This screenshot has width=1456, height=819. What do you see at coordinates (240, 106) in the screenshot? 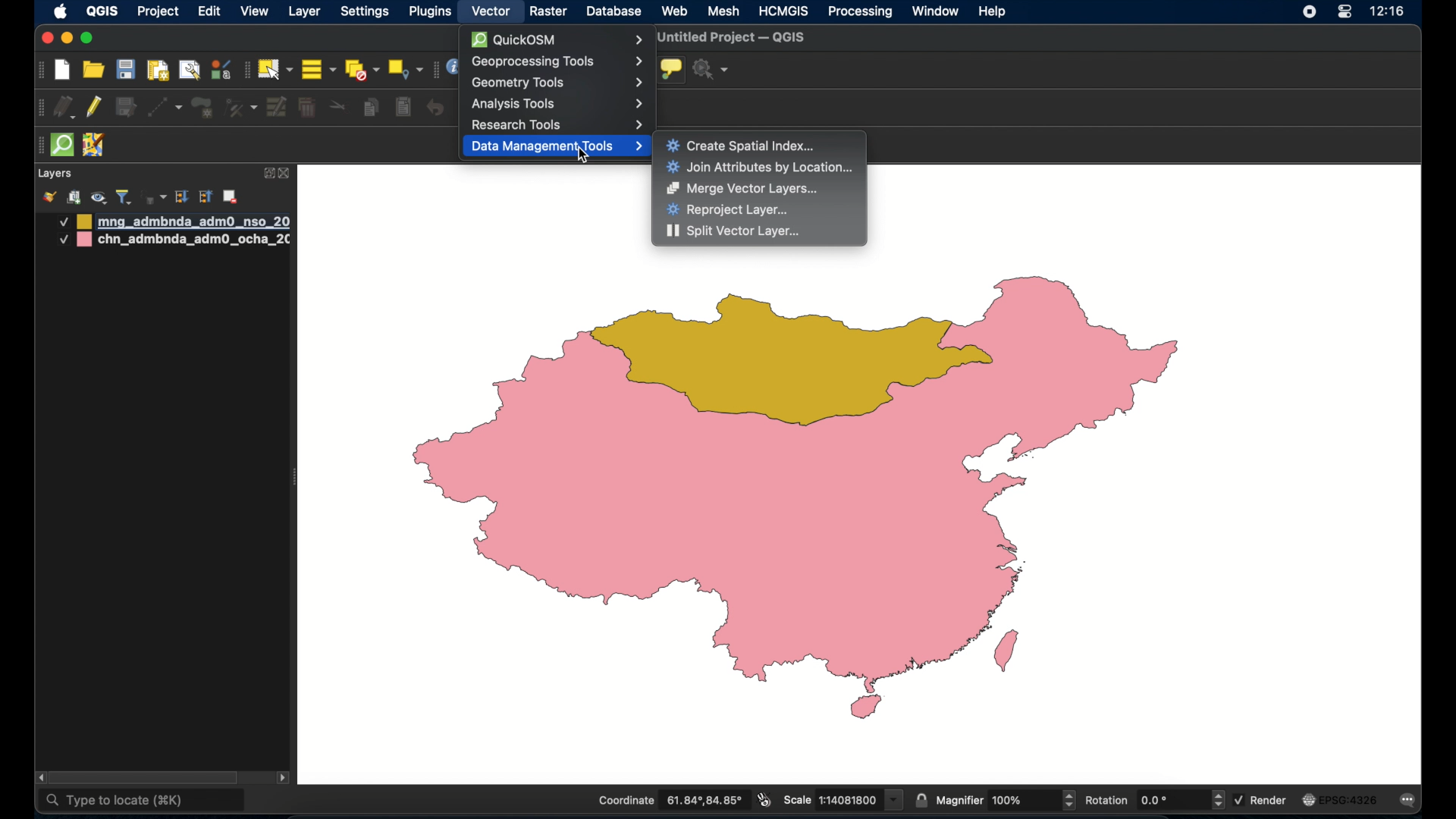
I see `vertex tool` at bounding box center [240, 106].